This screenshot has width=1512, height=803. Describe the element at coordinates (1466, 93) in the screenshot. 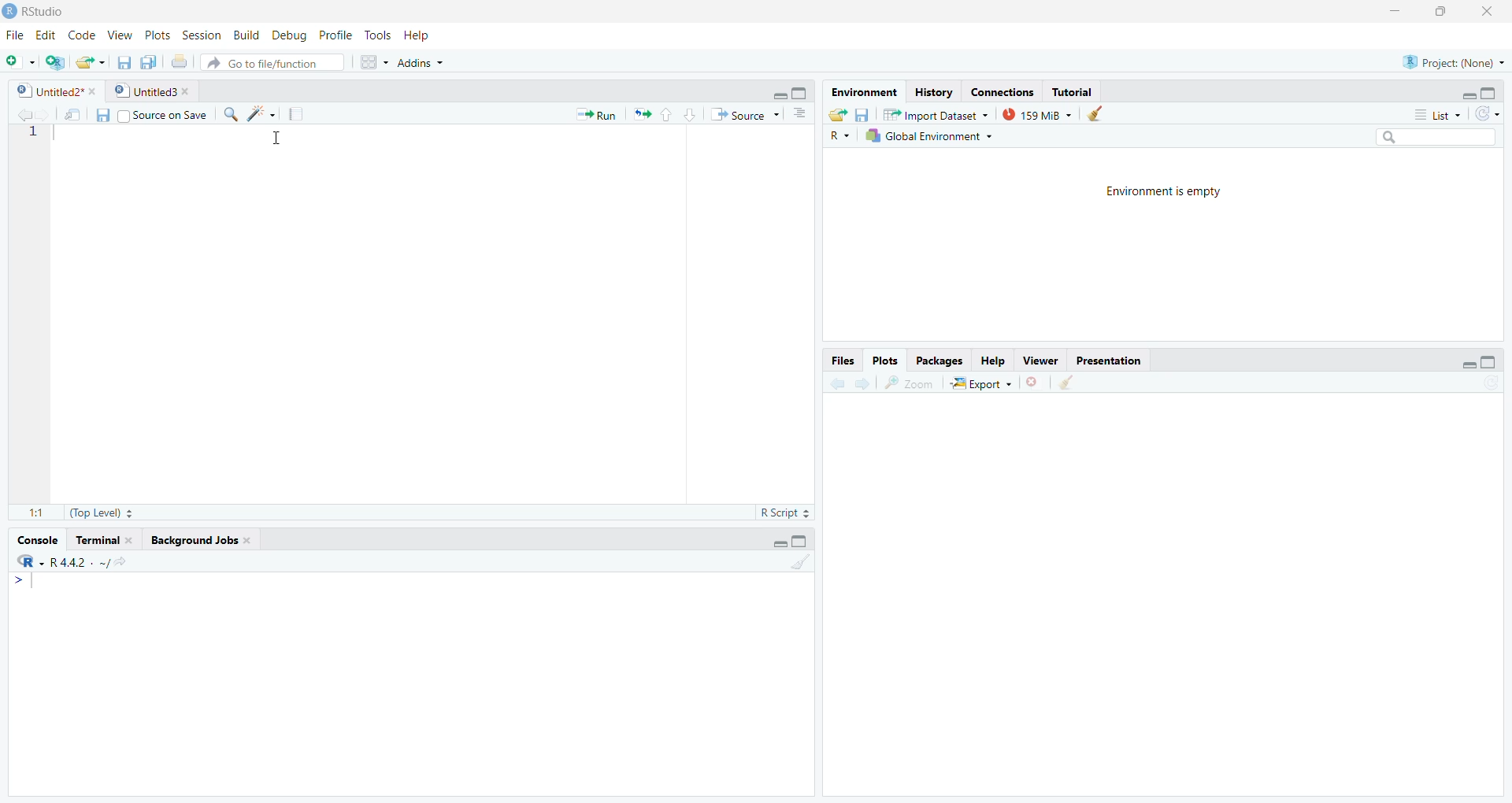

I see `Minimize` at that location.